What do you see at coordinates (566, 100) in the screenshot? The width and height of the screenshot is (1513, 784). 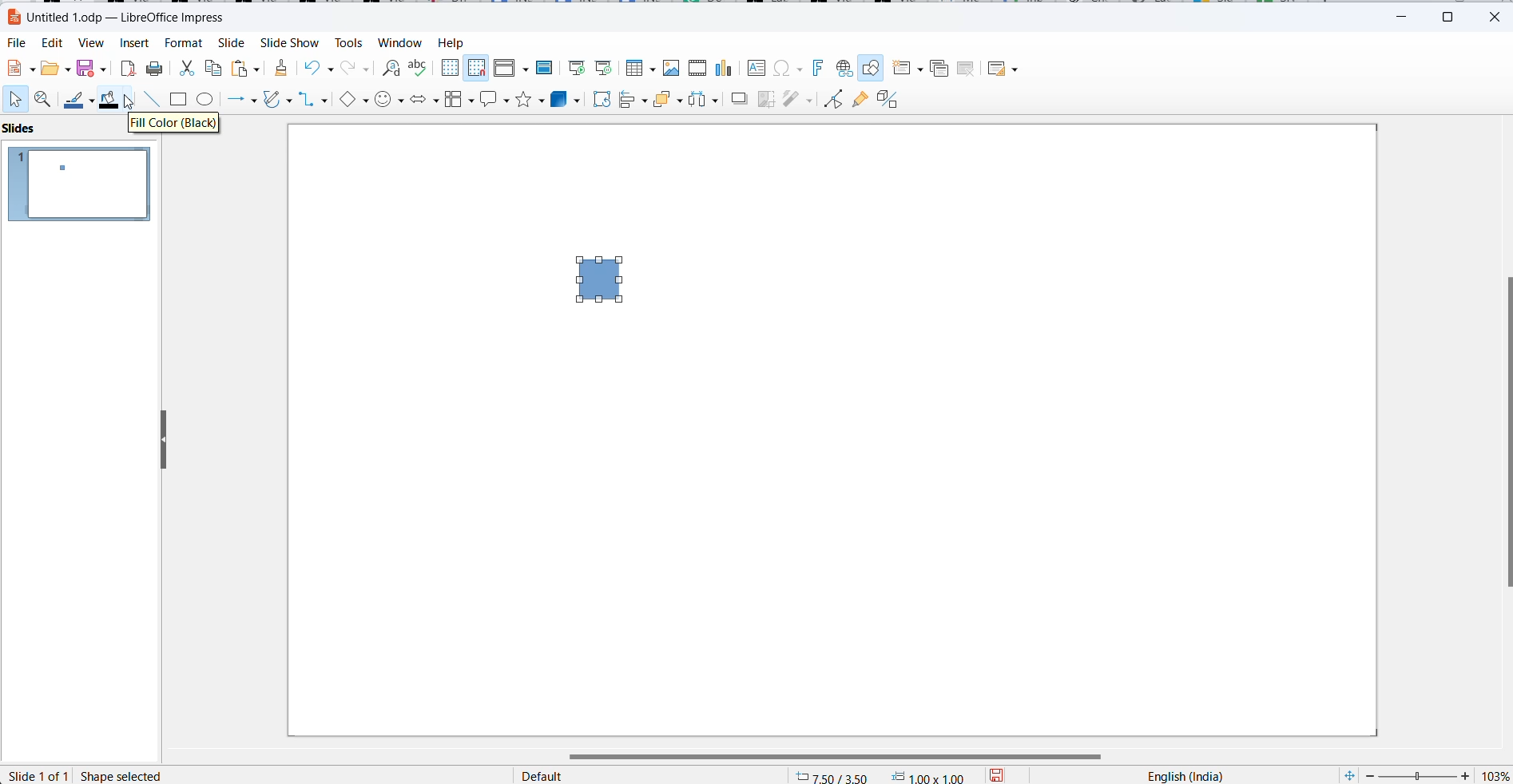 I see `3d objects ` at bounding box center [566, 100].